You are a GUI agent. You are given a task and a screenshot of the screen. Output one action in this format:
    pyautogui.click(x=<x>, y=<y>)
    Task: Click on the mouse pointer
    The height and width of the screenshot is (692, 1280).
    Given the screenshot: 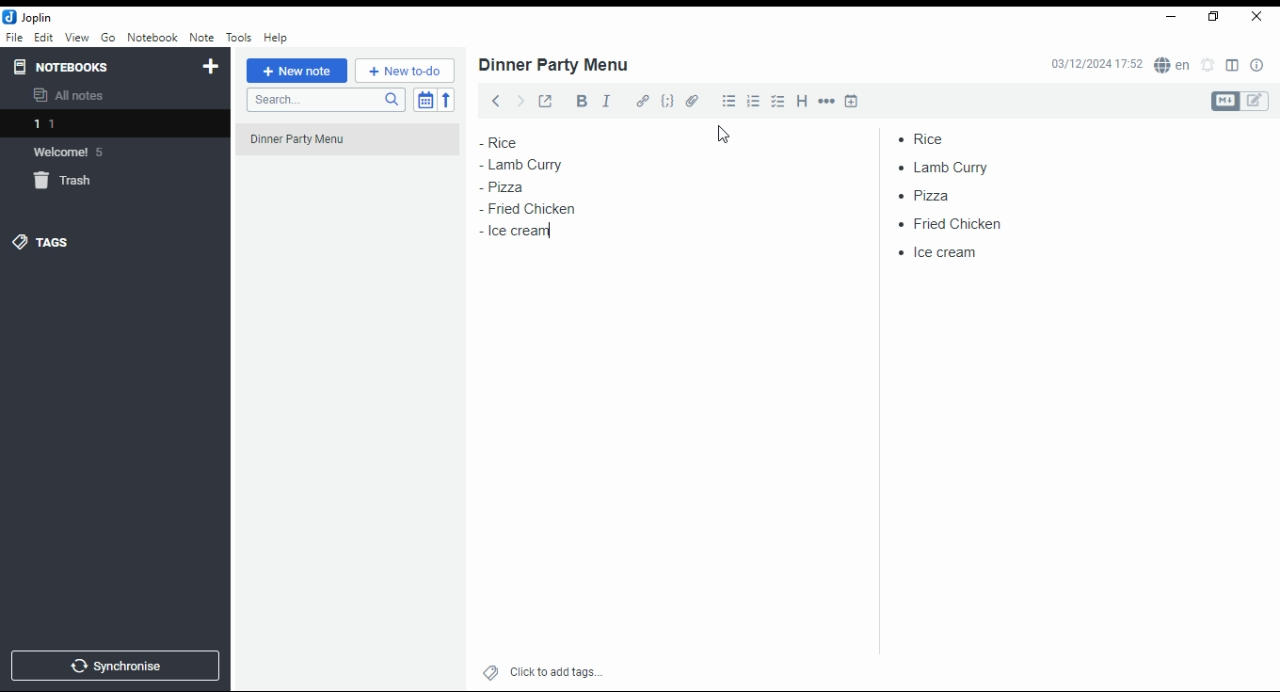 What is the action you would take?
    pyautogui.click(x=726, y=136)
    